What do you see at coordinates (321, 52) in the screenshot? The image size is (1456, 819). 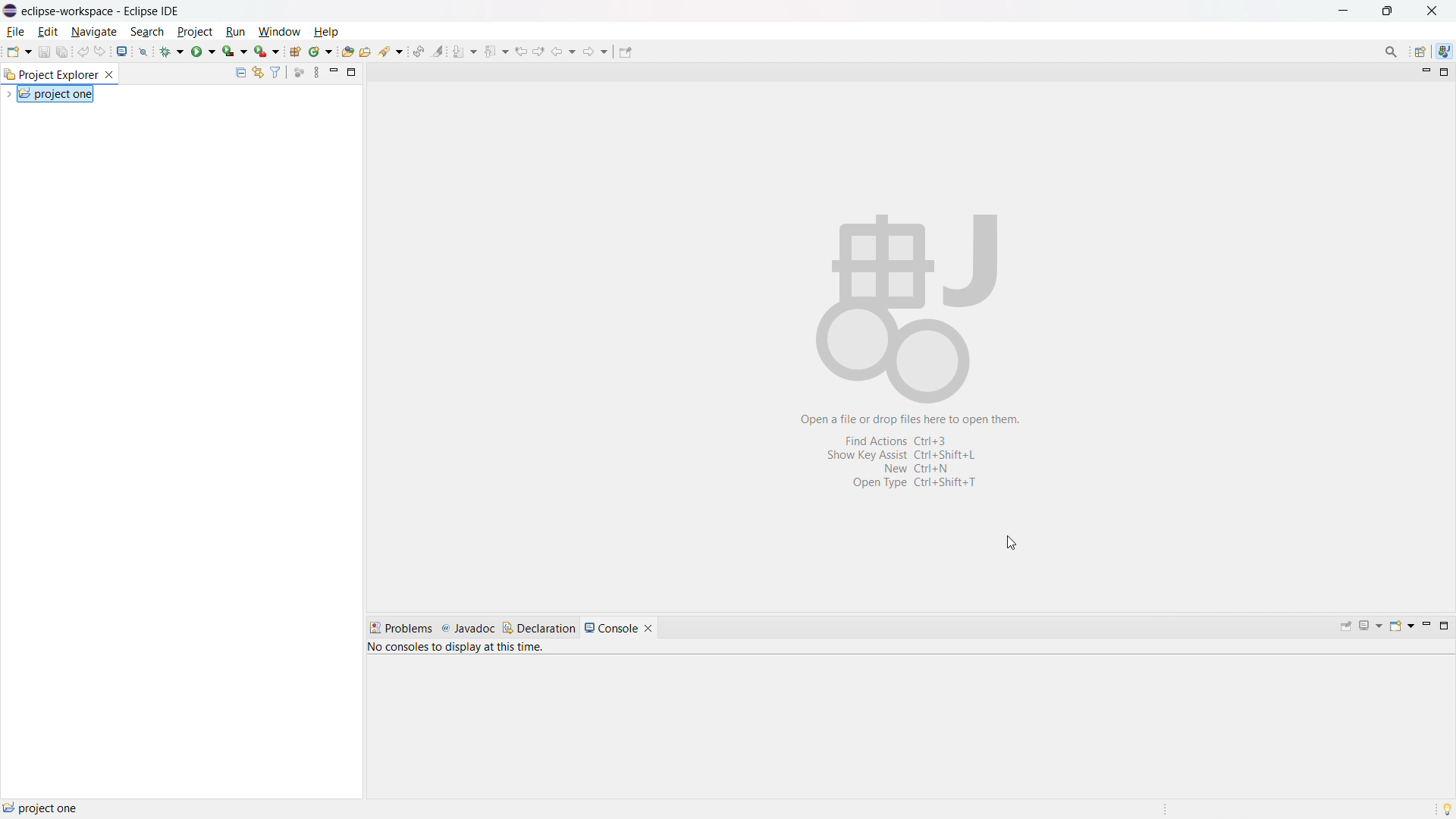 I see `new java class` at bounding box center [321, 52].